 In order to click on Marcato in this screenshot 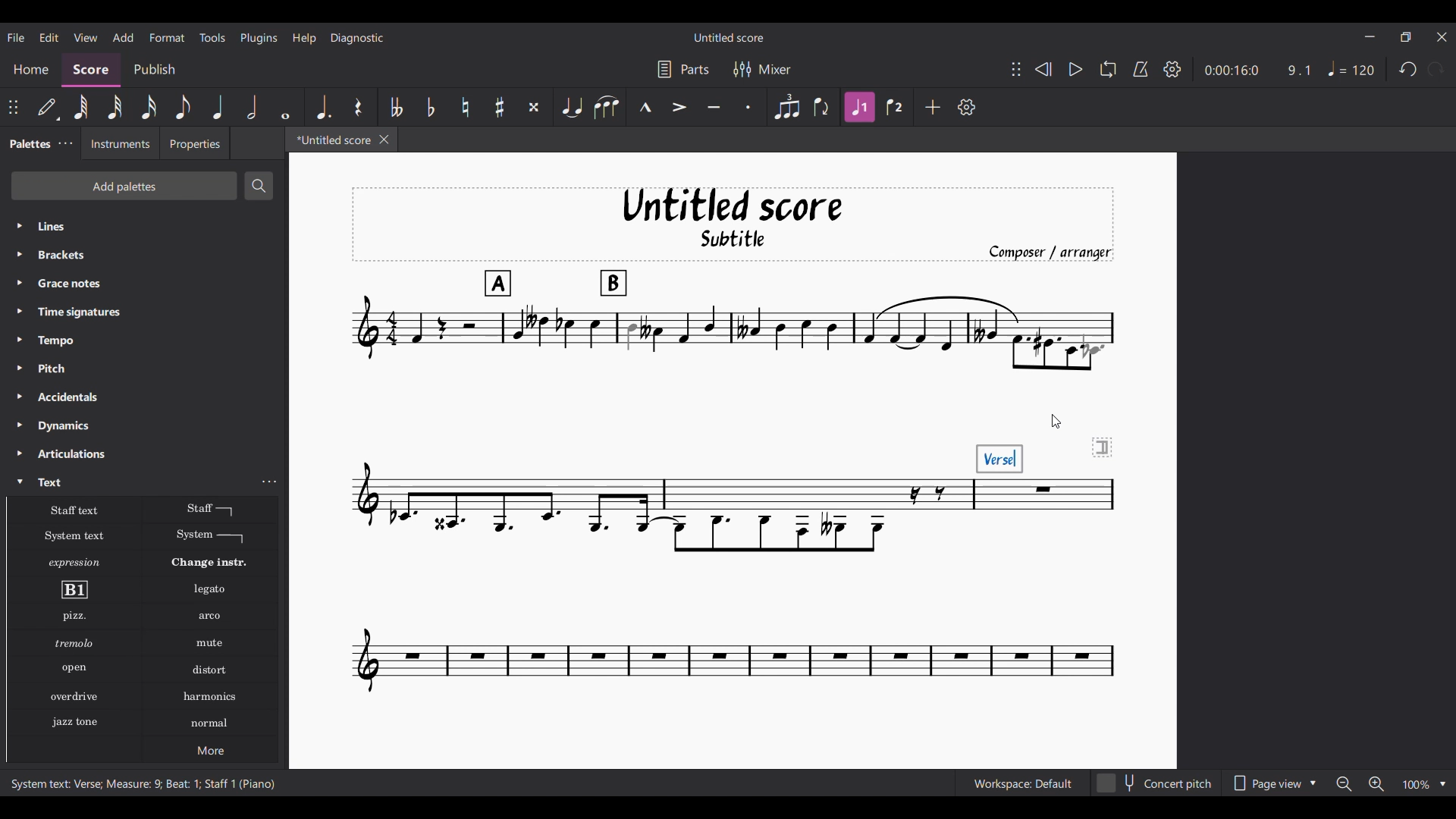, I will do `click(645, 107)`.